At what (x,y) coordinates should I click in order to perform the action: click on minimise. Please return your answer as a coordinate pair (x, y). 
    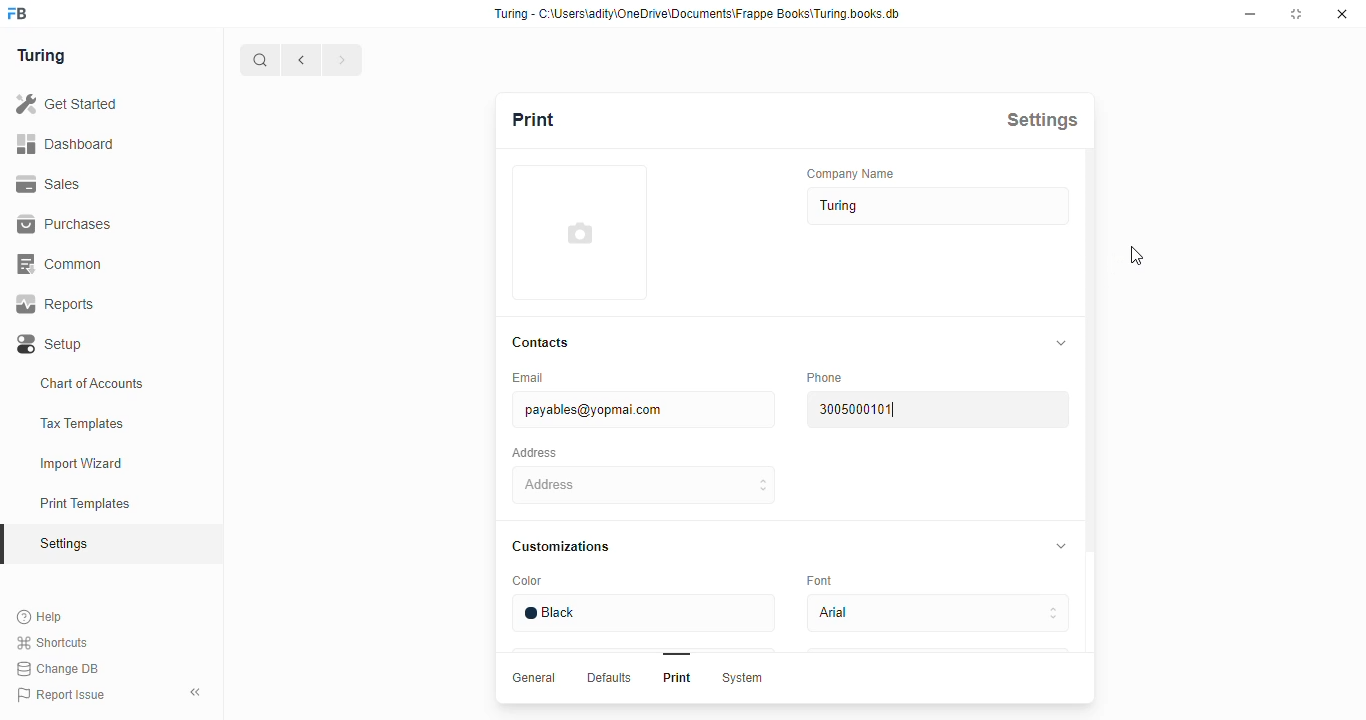
    Looking at the image, I should click on (1253, 13).